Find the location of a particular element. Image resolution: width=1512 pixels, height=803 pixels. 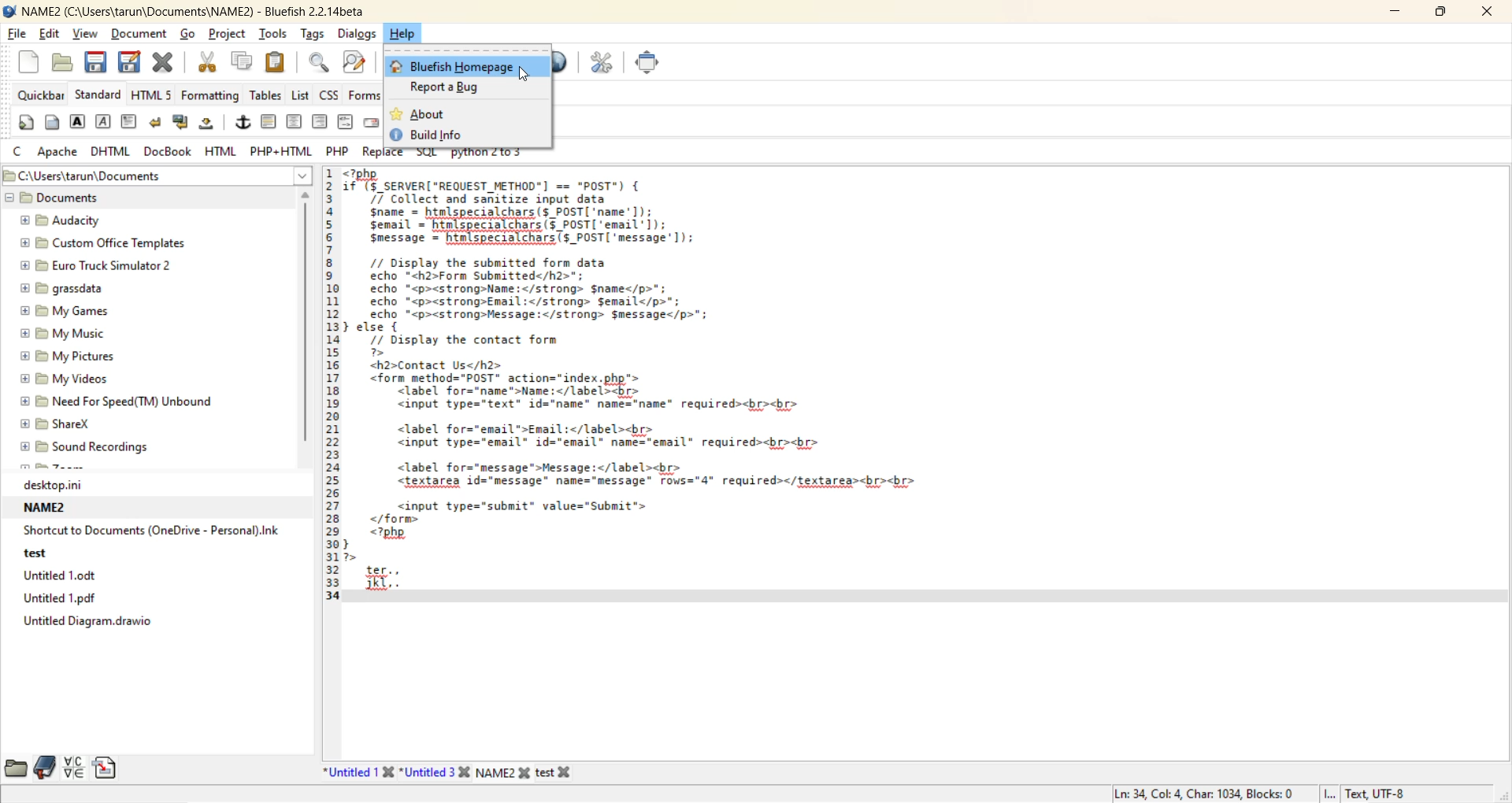

find and replace is located at coordinates (357, 65).